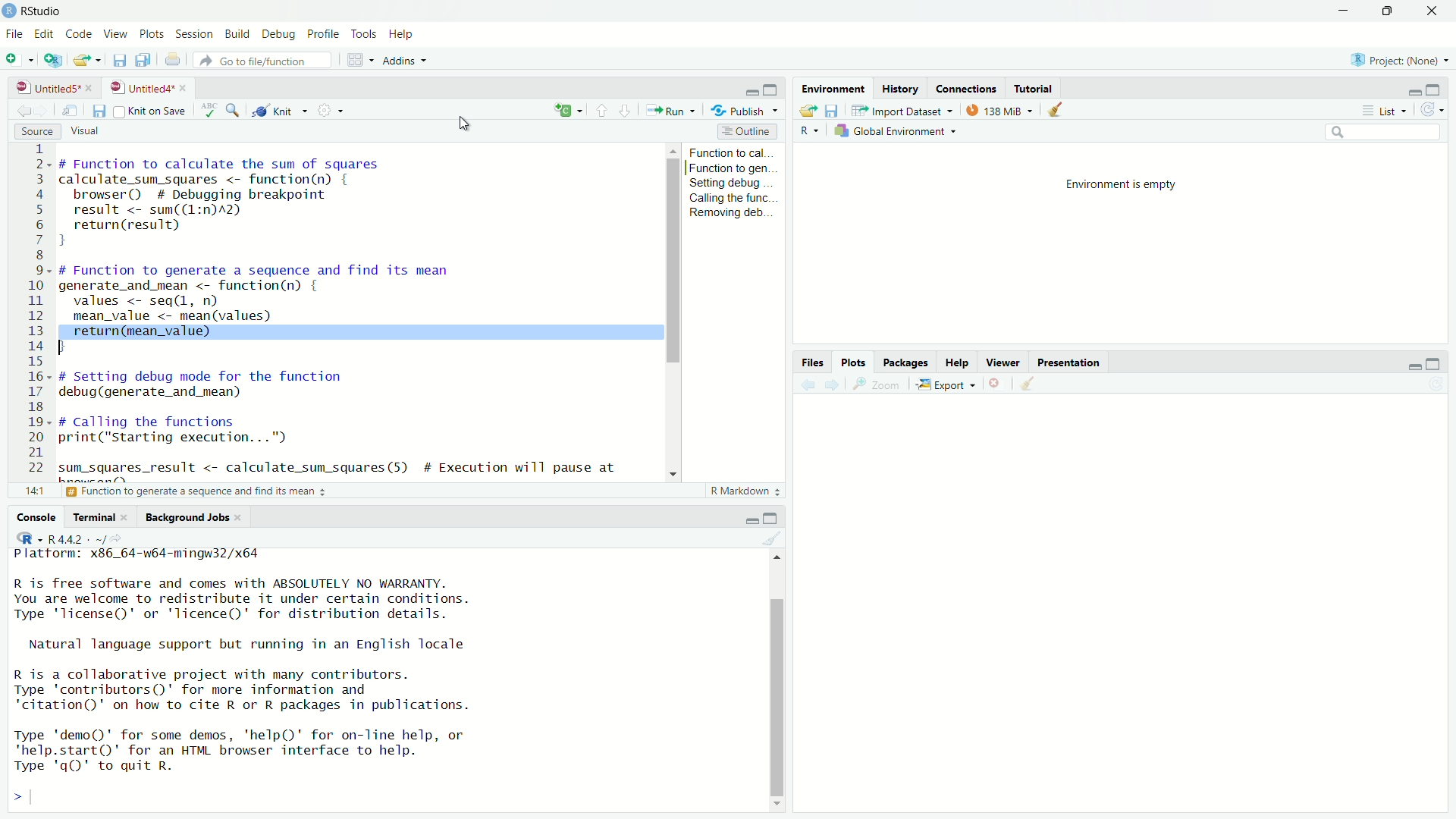 The height and width of the screenshot is (819, 1456). What do you see at coordinates (45, 11) in the screenshot?
I see `RStudio` at bounding box center [45, 11].